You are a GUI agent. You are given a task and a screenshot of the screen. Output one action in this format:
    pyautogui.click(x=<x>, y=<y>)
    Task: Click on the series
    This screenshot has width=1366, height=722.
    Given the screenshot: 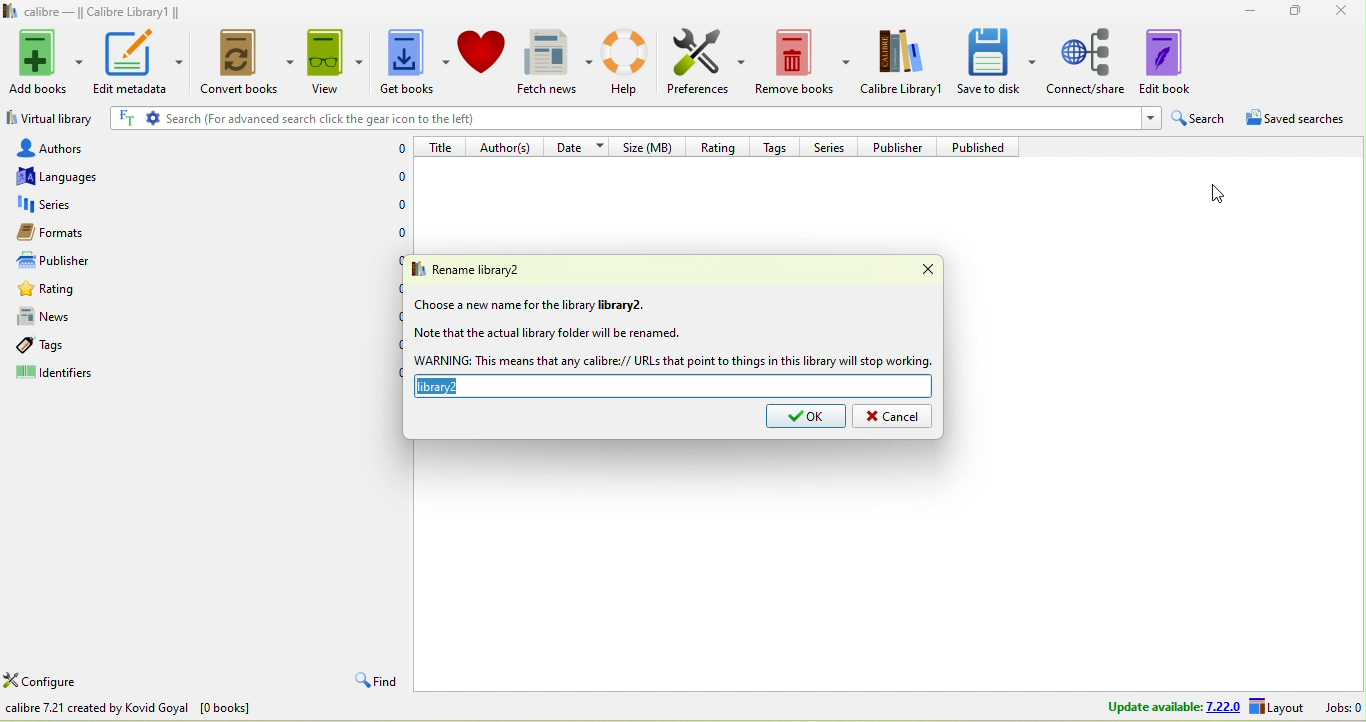 What is the action you would take?
    pyautogui.click(x=84, y=205)
    